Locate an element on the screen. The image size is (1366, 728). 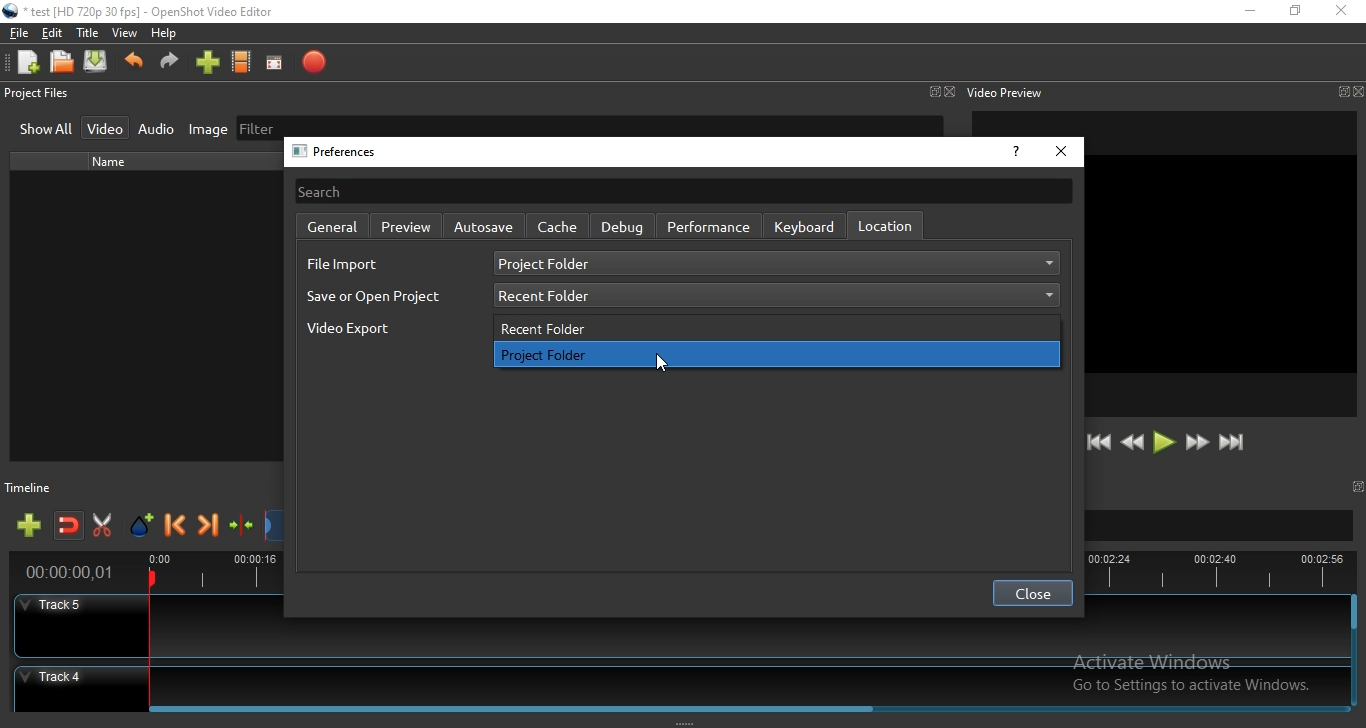
Previous marker is located at coordinates (176, 527).